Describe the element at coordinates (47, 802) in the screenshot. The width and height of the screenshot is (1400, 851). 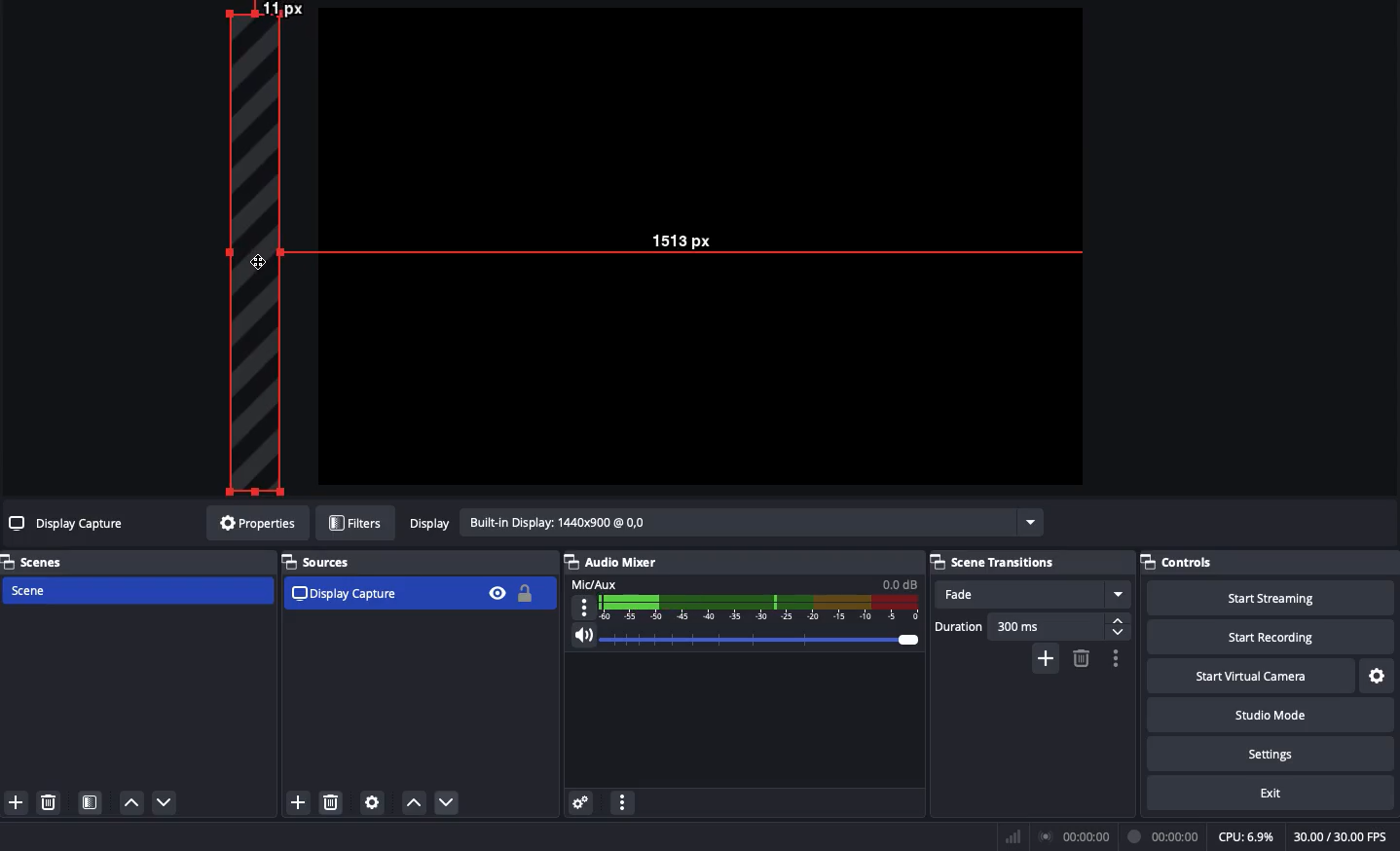
I see `Delete` at that location.